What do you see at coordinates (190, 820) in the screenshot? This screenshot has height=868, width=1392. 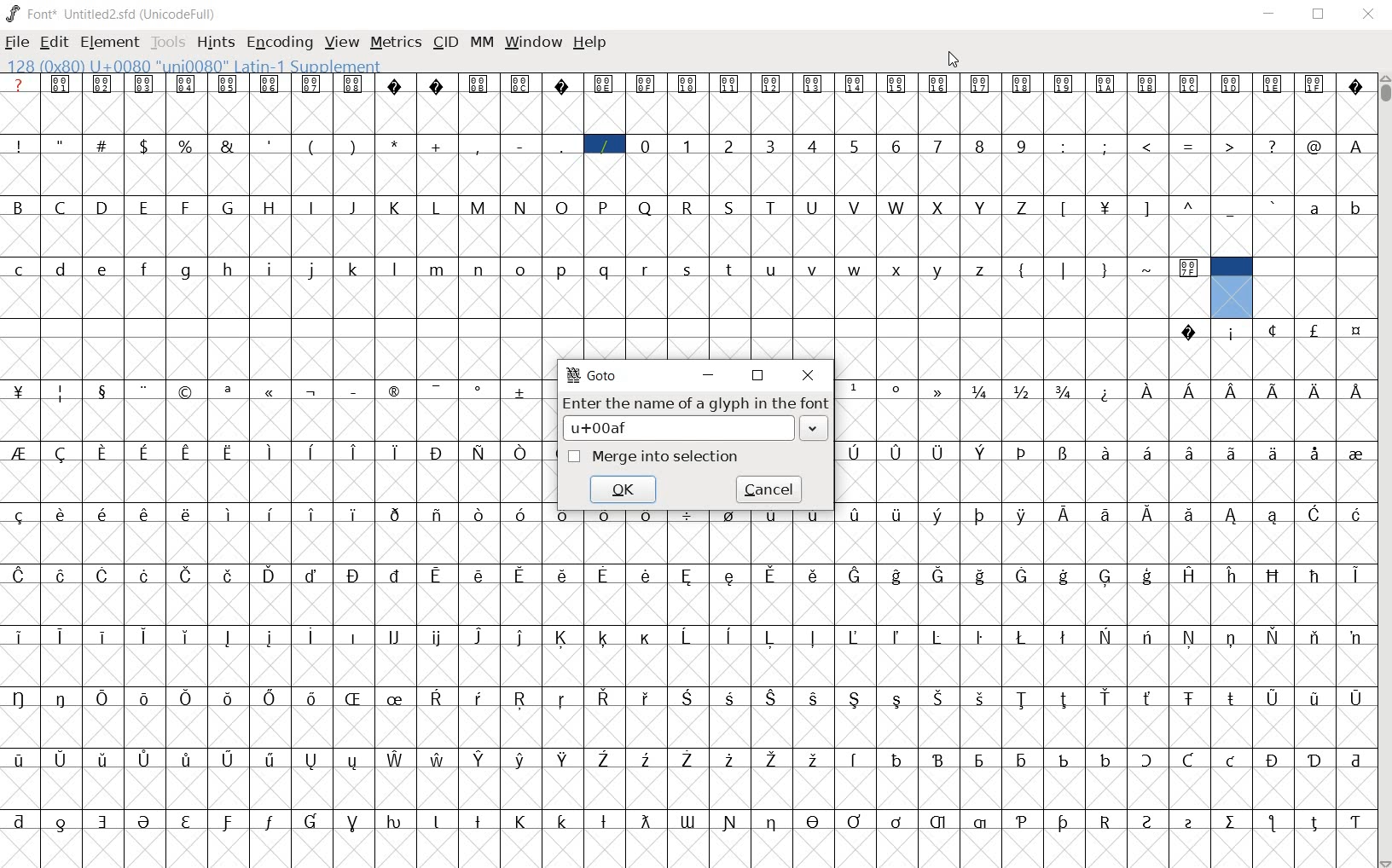 I see `Symbol` at bounding box center [190, 820].